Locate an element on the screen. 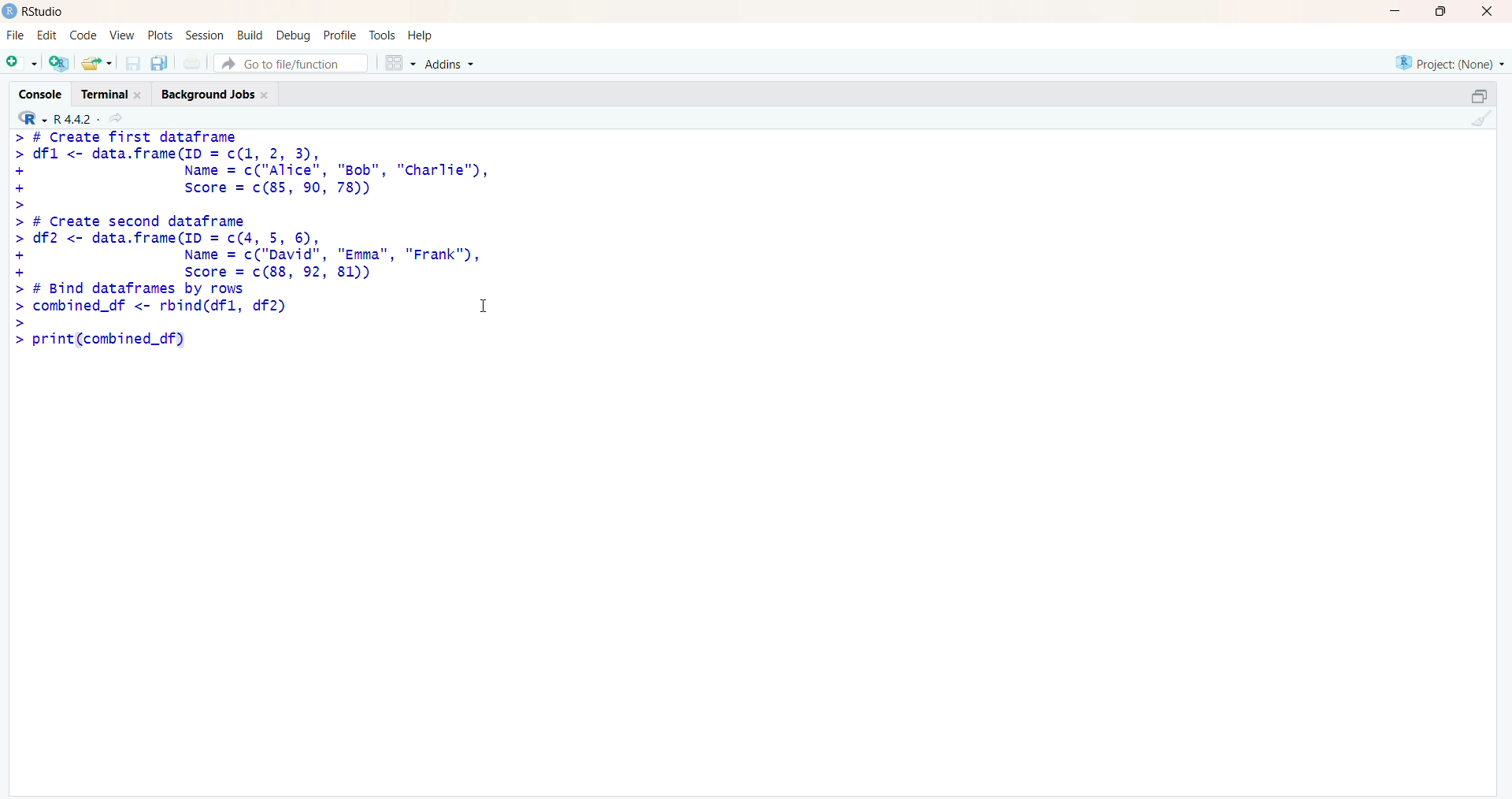  Console is located at coordinates (39, 93).